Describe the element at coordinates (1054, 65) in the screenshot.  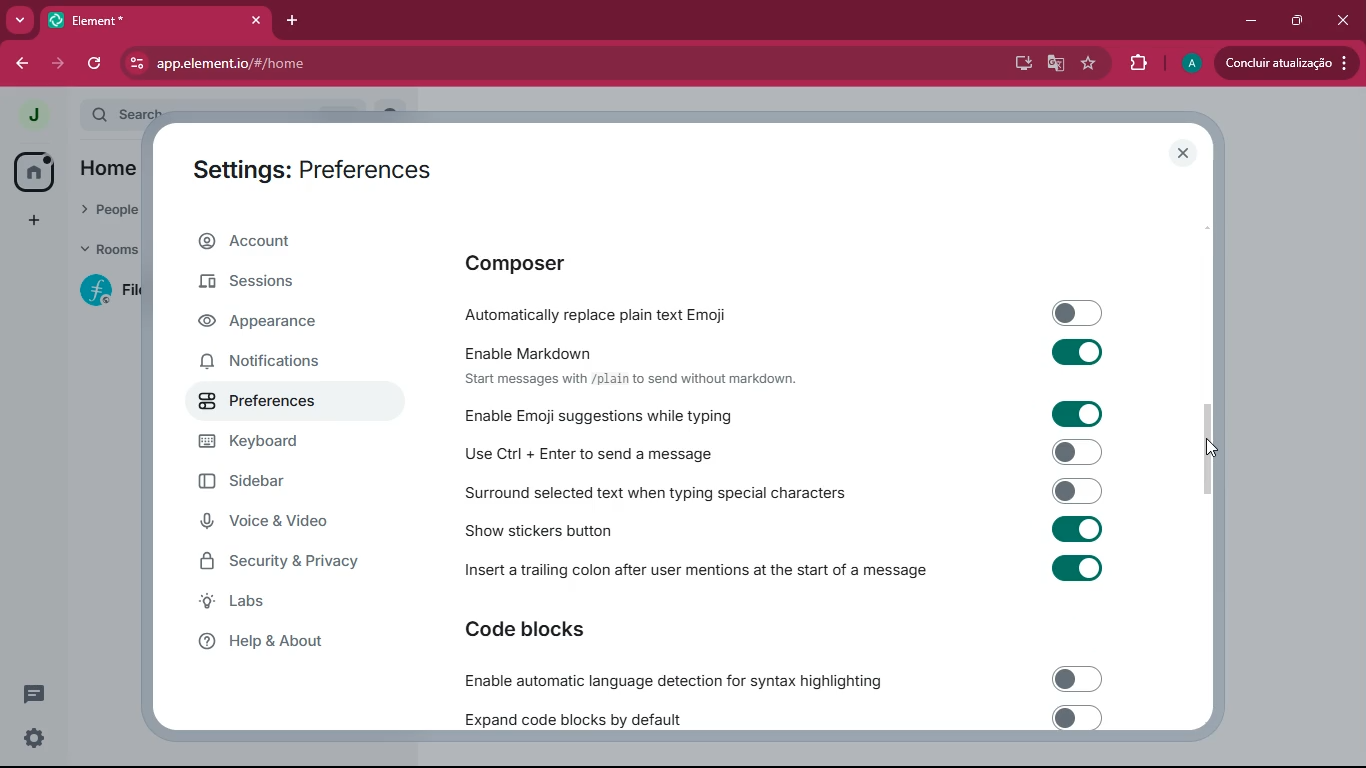
I see `google translate` at that location.